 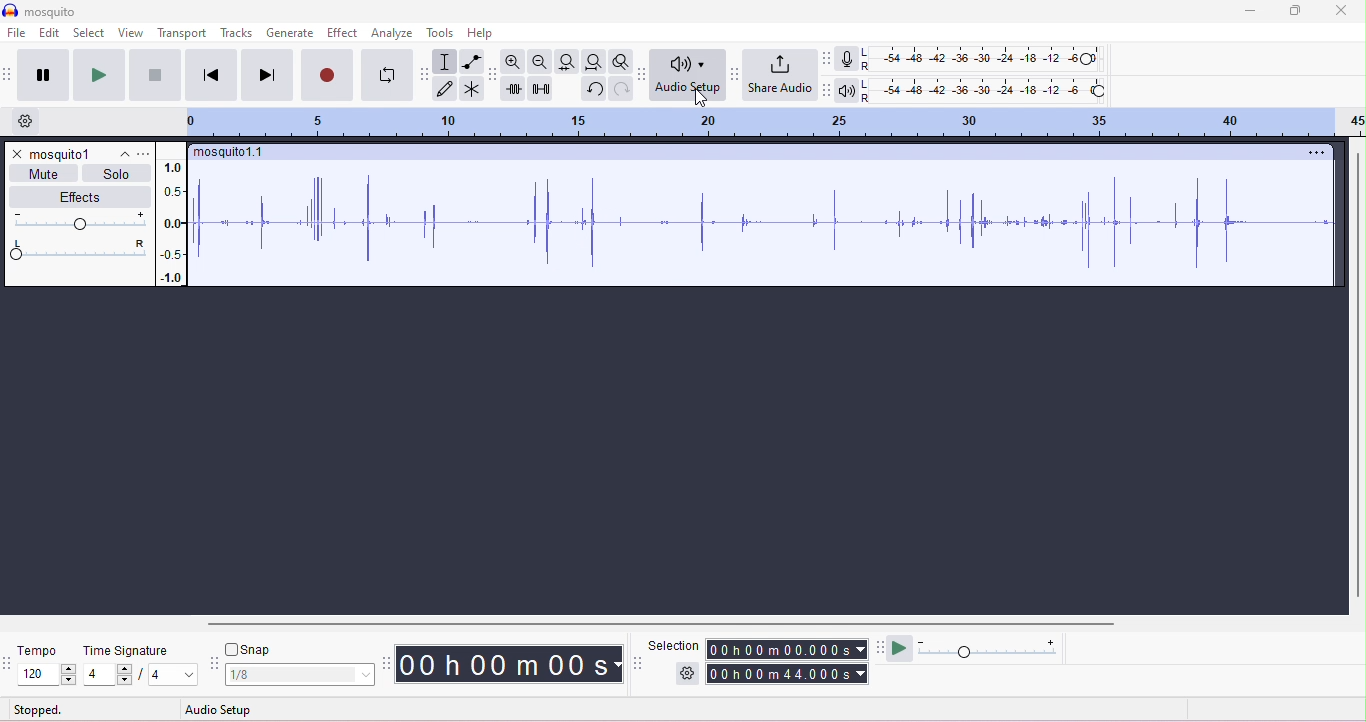 What do you see at coordinates (621, 60) in the screenshot?
I see `toggle zoom` at bounding box center [621, 60].